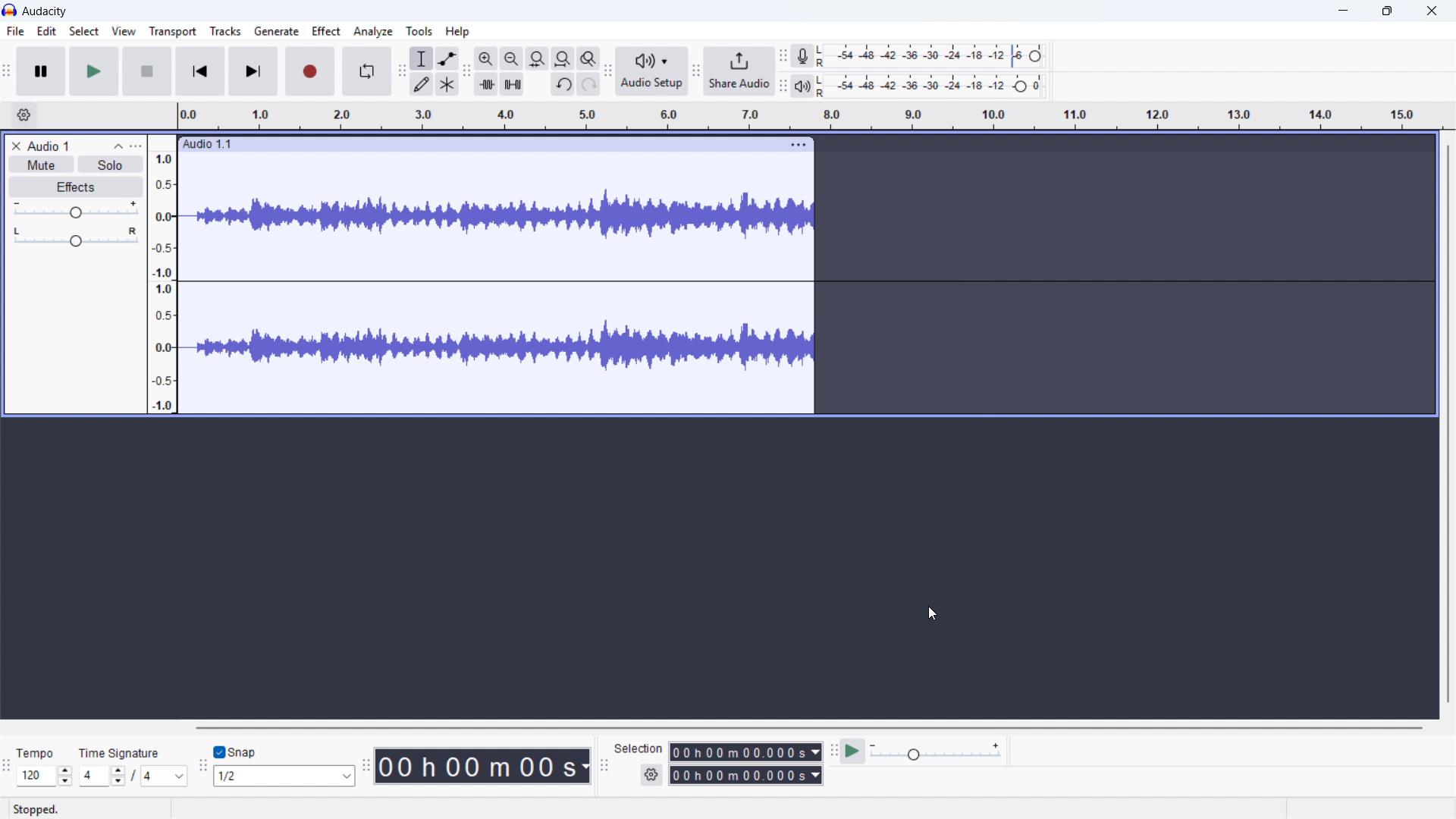  I want to click on  Edit , so click(46, 32).